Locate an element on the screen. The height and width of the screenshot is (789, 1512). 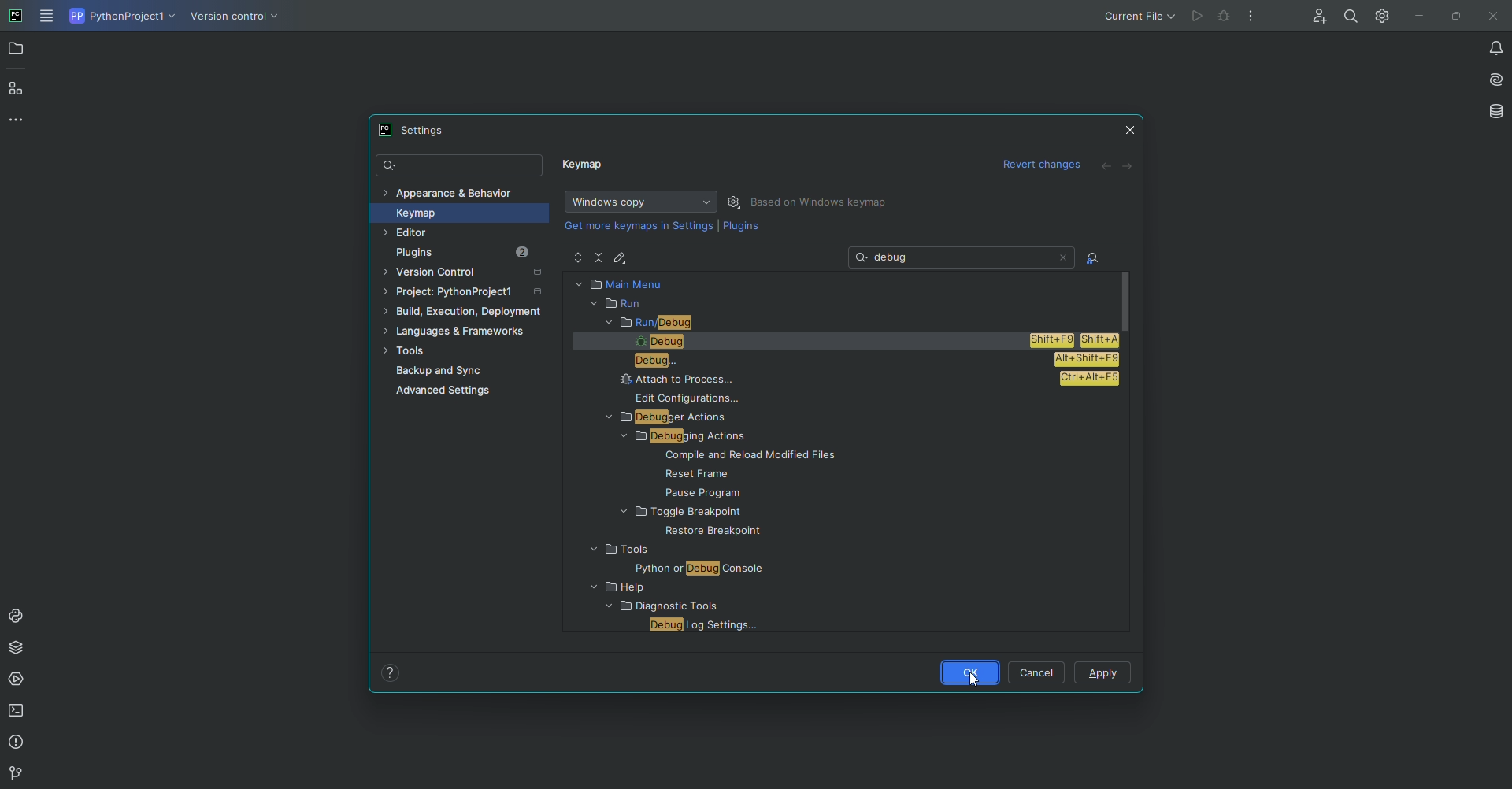
DEBUG.. is located at coordinates (813, 360).